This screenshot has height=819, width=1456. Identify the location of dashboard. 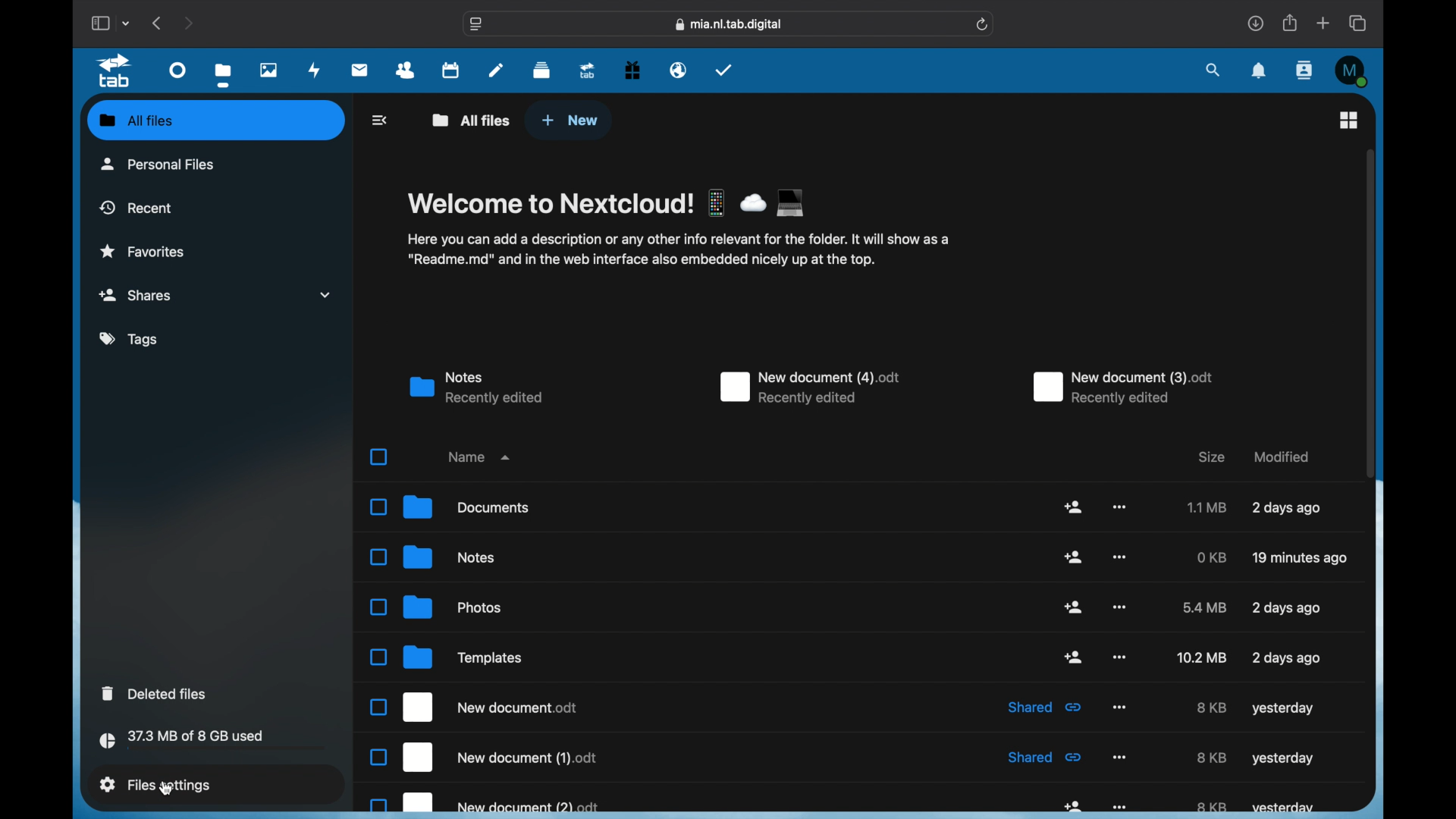
(177, 71).